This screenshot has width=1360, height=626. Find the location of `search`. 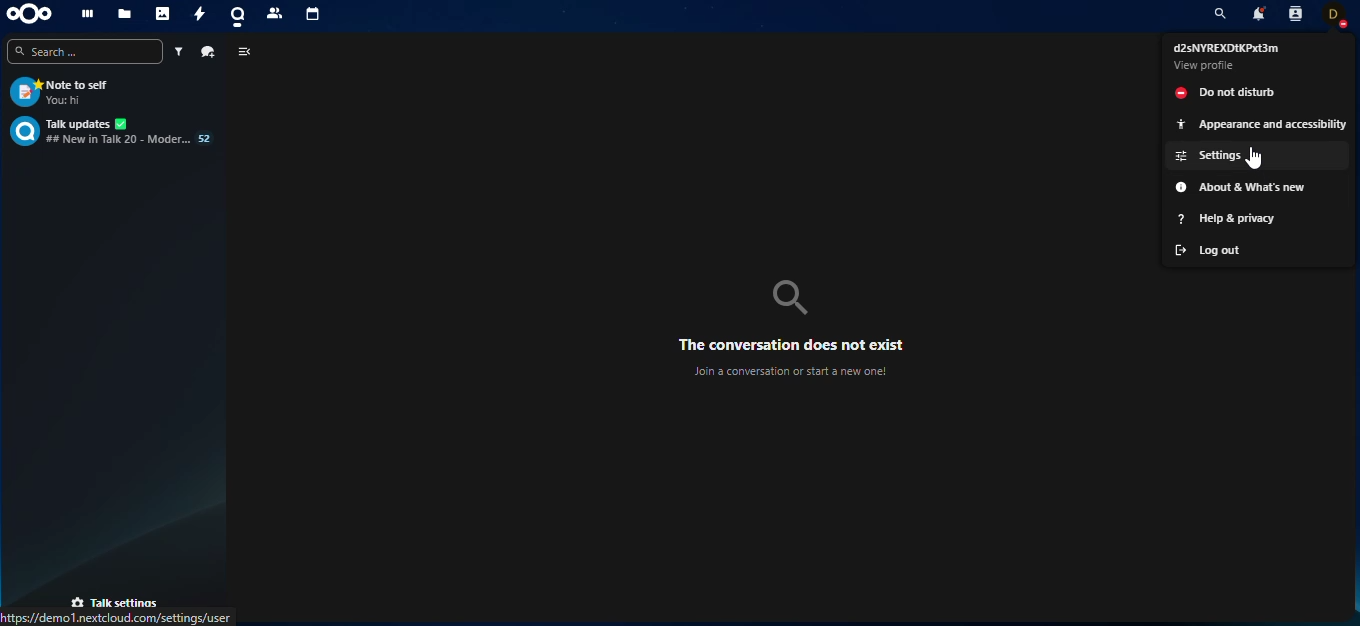

search is located at coordinates (1220, 14).